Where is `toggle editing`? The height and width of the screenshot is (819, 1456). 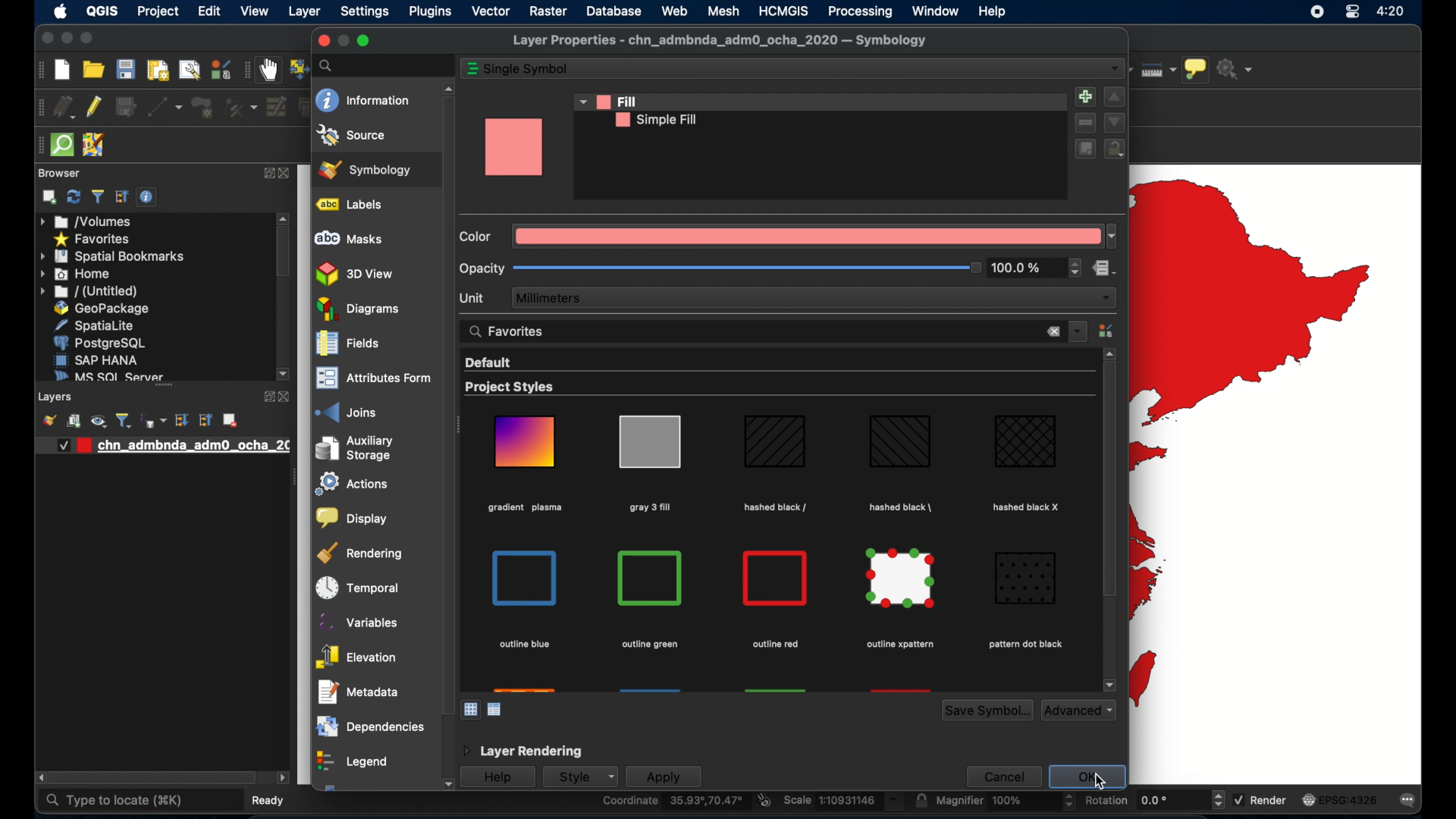 toggle editing is located at coordinates (95, 105).